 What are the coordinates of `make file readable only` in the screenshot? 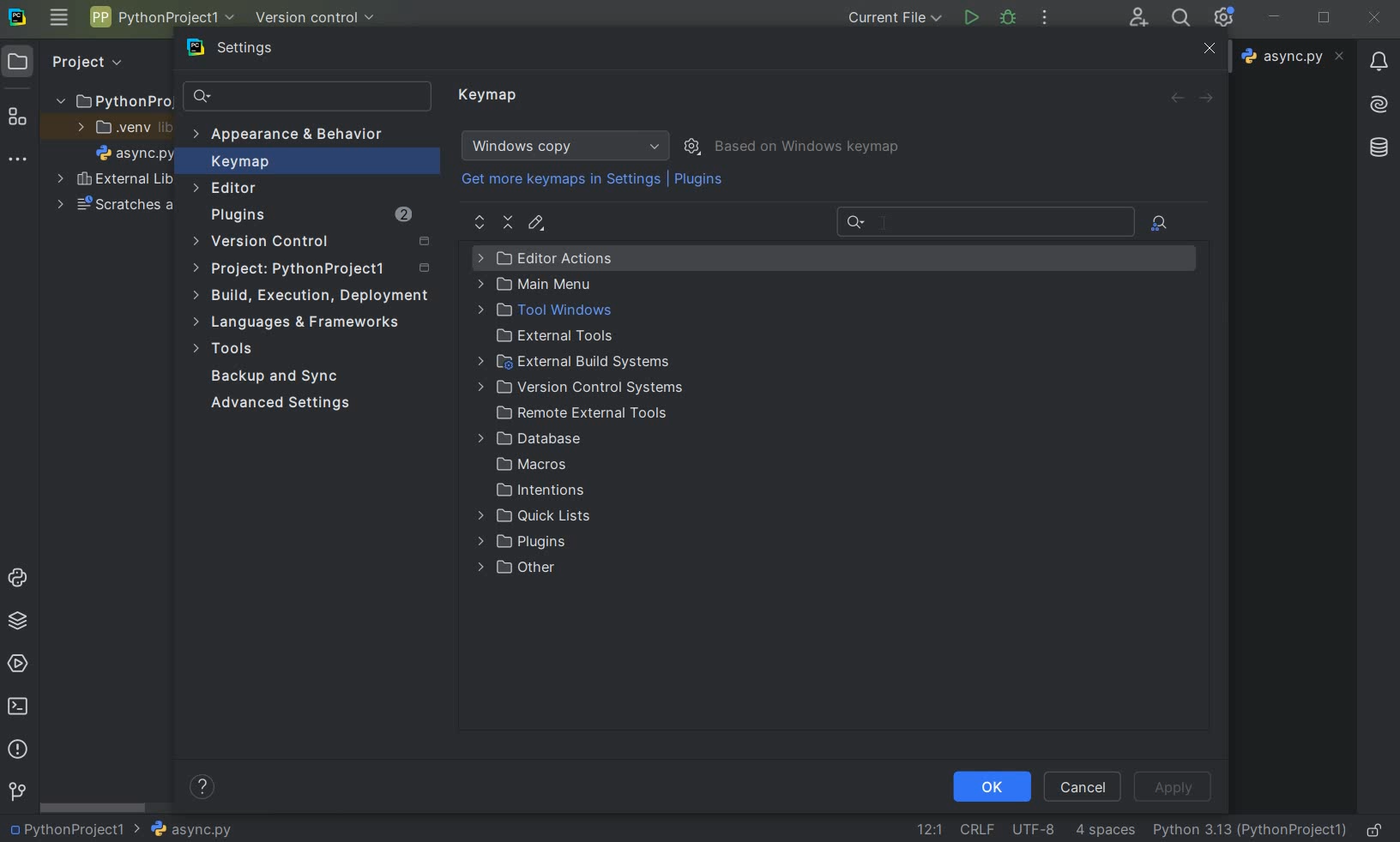 It's located at (1376, 828).